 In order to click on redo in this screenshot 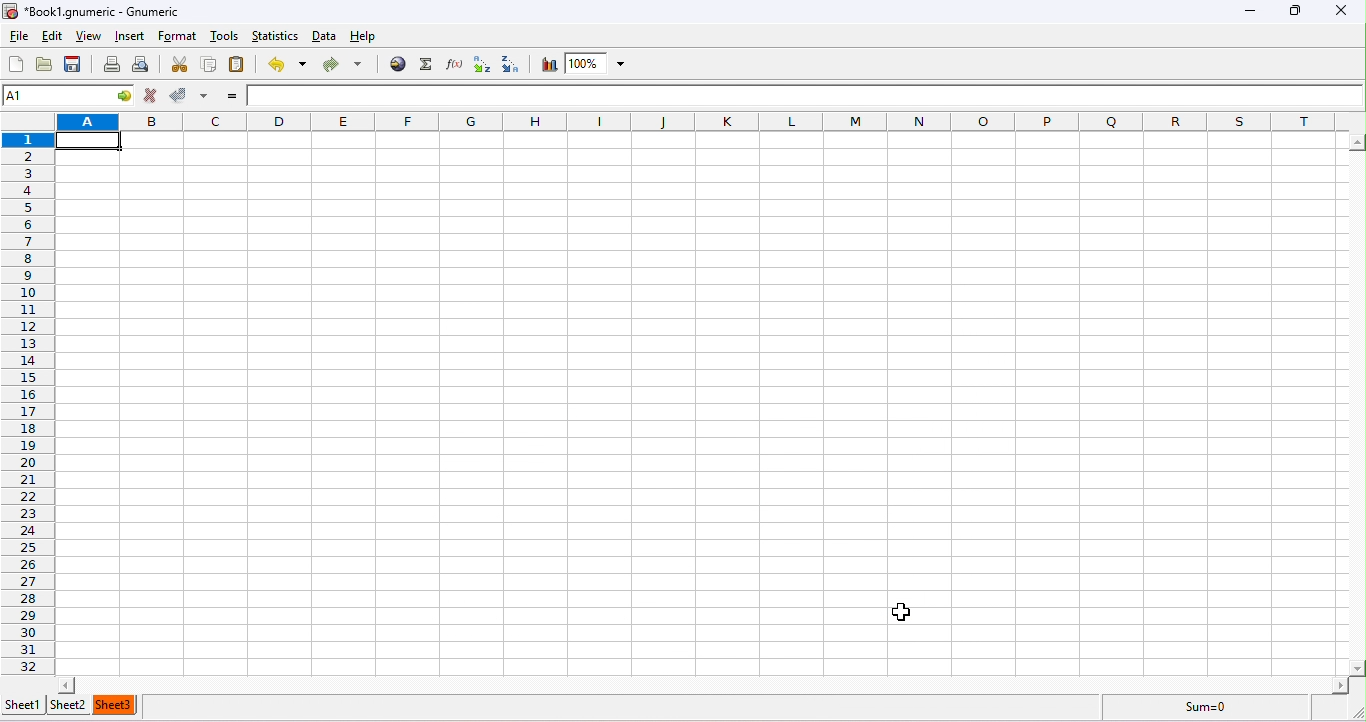, I will do `click(342, 61)`.